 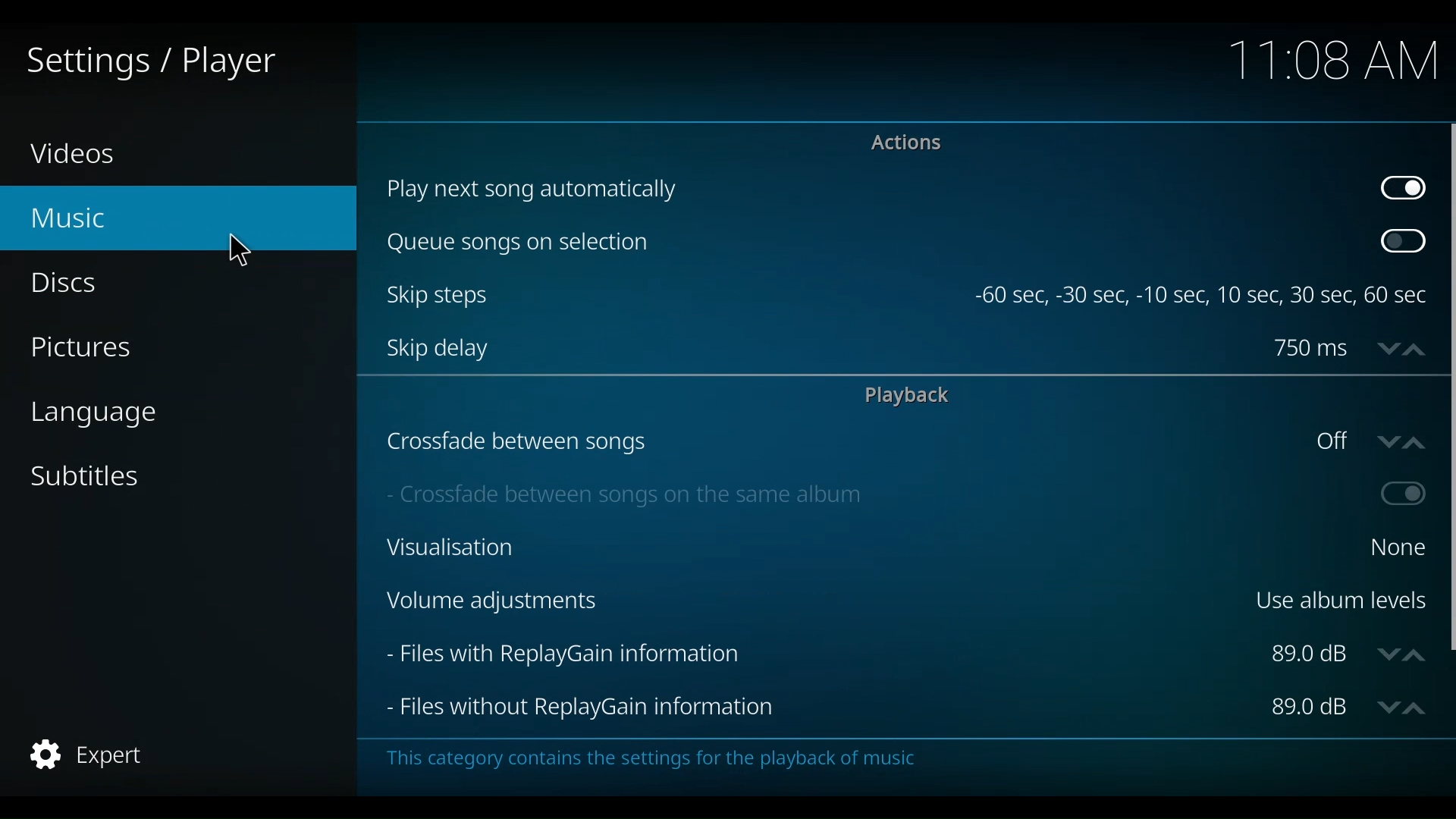 What do you see at coordinates (1418, 441) in the screenshot?
I see `` at bounding box center [1418, 441].